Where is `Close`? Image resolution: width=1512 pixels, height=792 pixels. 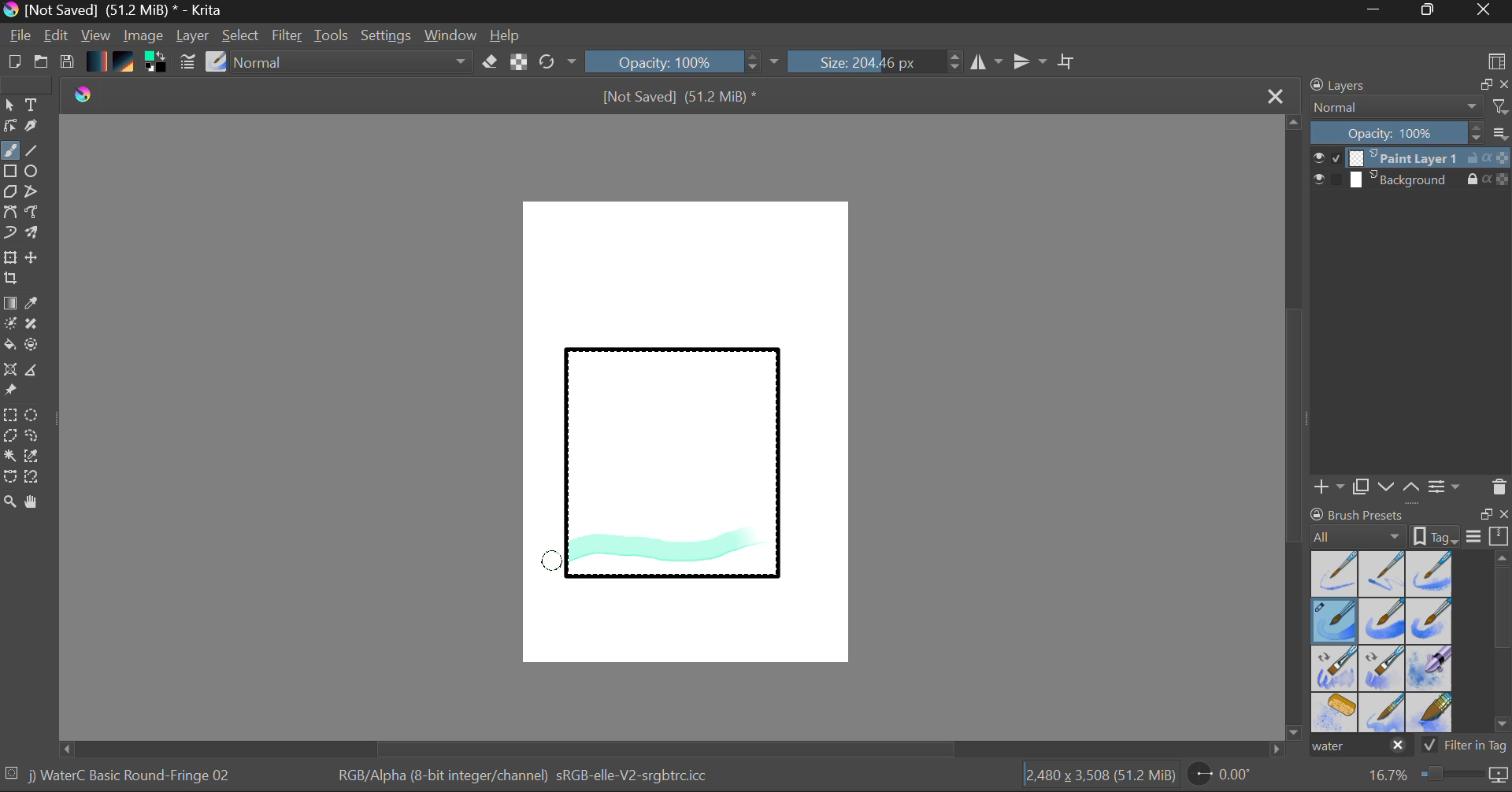 Close is located at coordinates (1485, 11).